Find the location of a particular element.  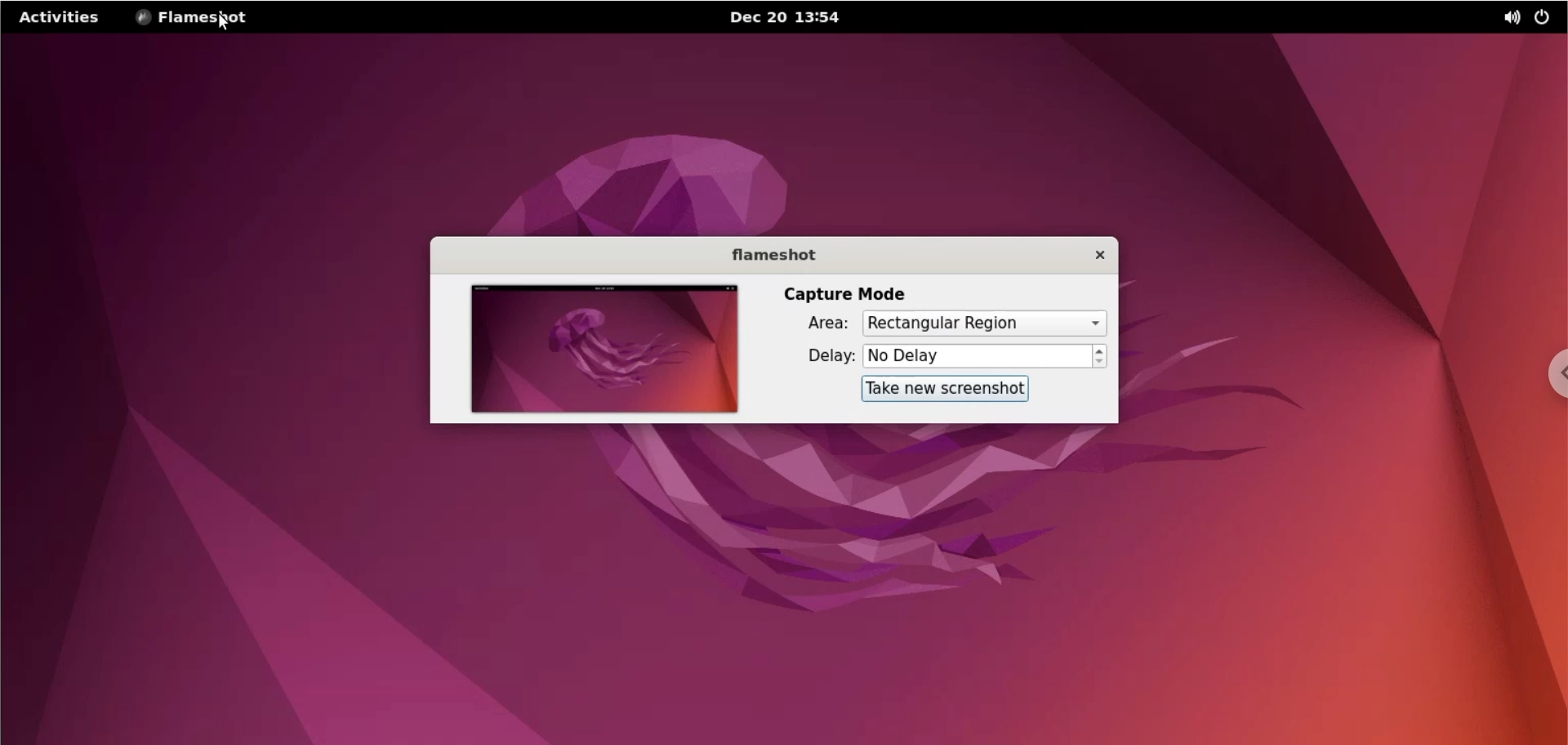

delay: is located at coordinates (822, 355).